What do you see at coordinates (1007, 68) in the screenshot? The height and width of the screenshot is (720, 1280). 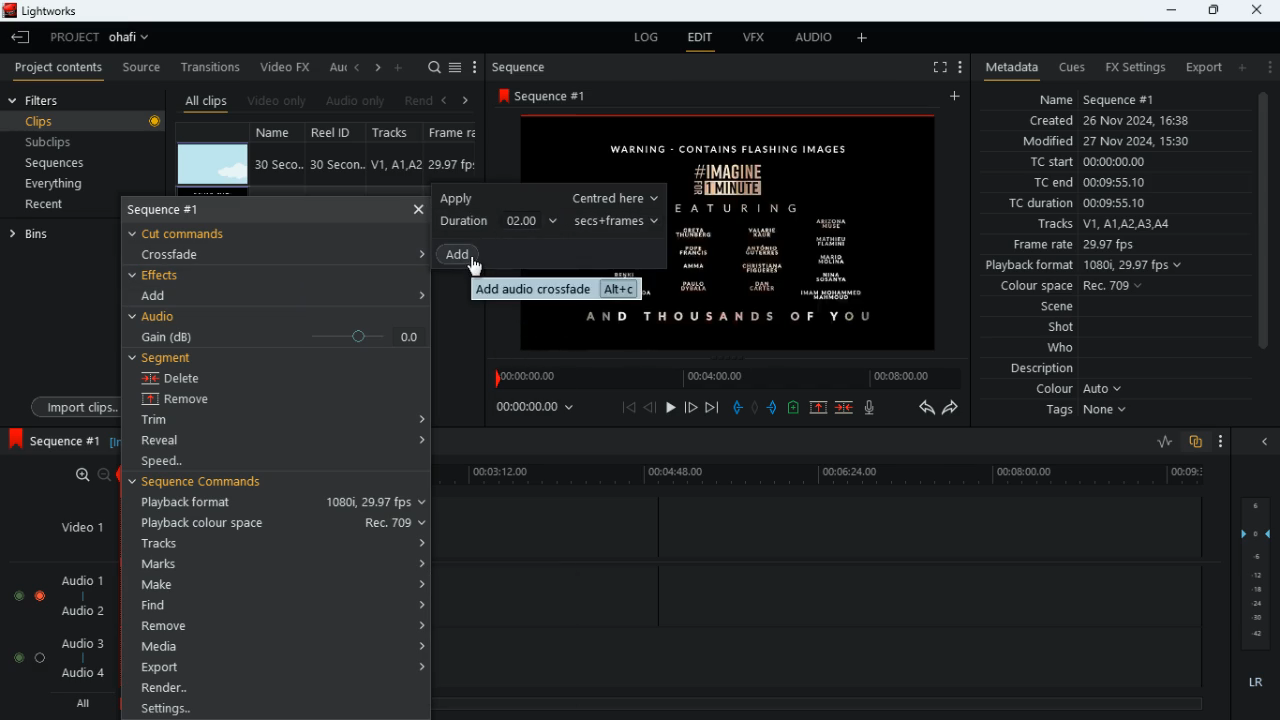 I see `metadata` at bounding box center [1007, 68].